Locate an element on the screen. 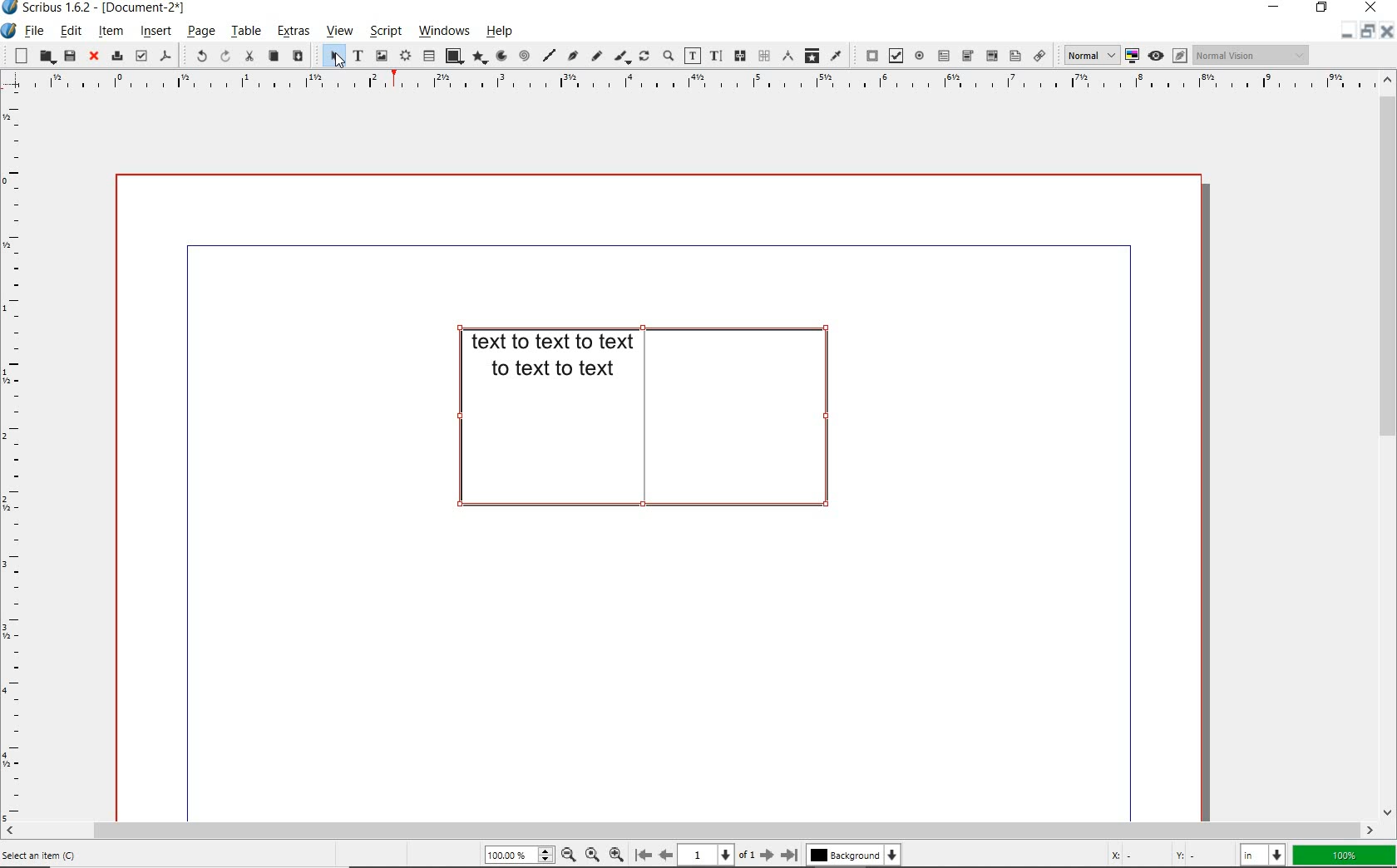  edit text with story editor is located at coordinates (715, 57).